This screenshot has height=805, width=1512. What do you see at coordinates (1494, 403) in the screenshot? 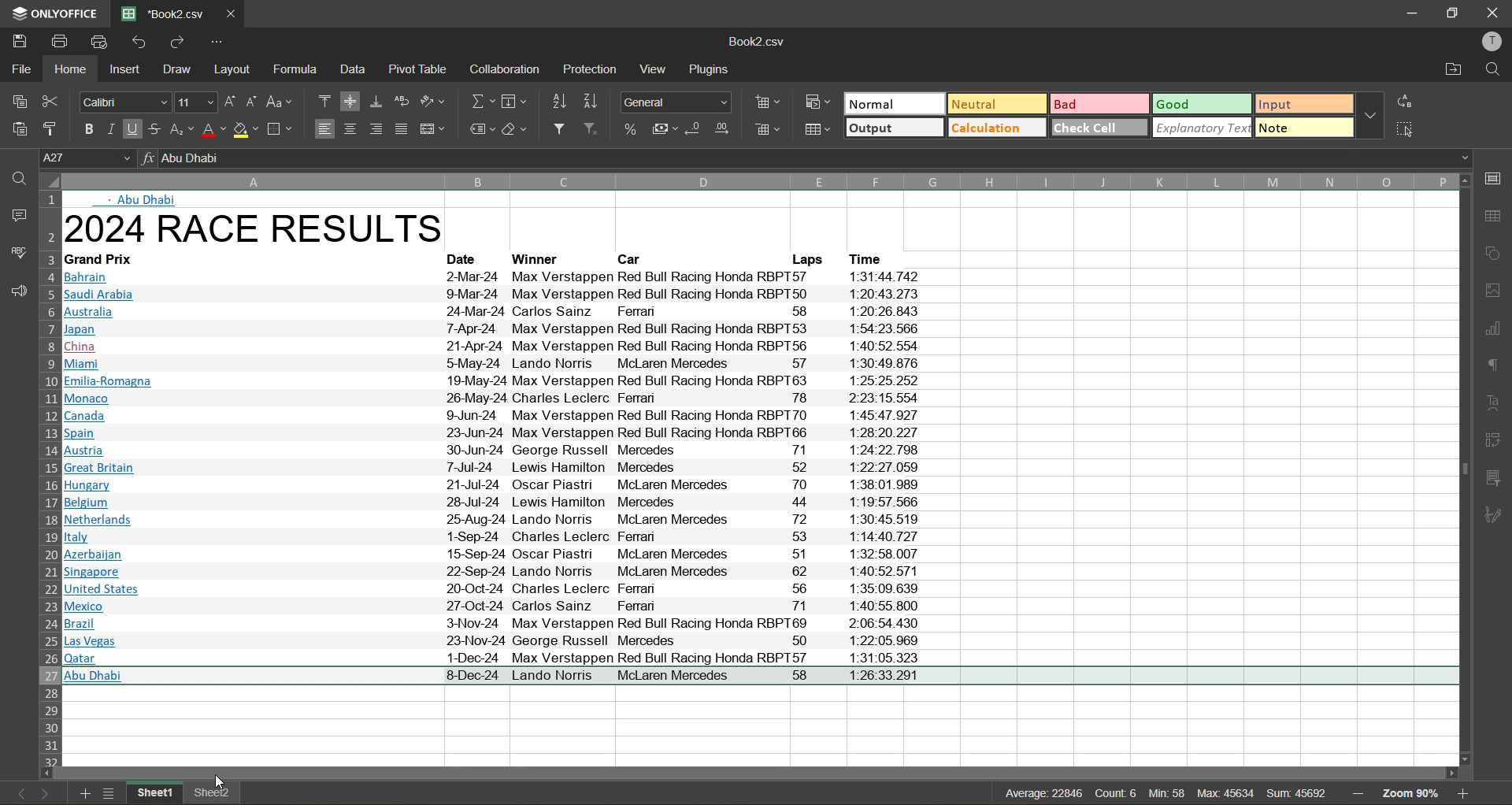
I see `text` at bounding box center [1494, 403].